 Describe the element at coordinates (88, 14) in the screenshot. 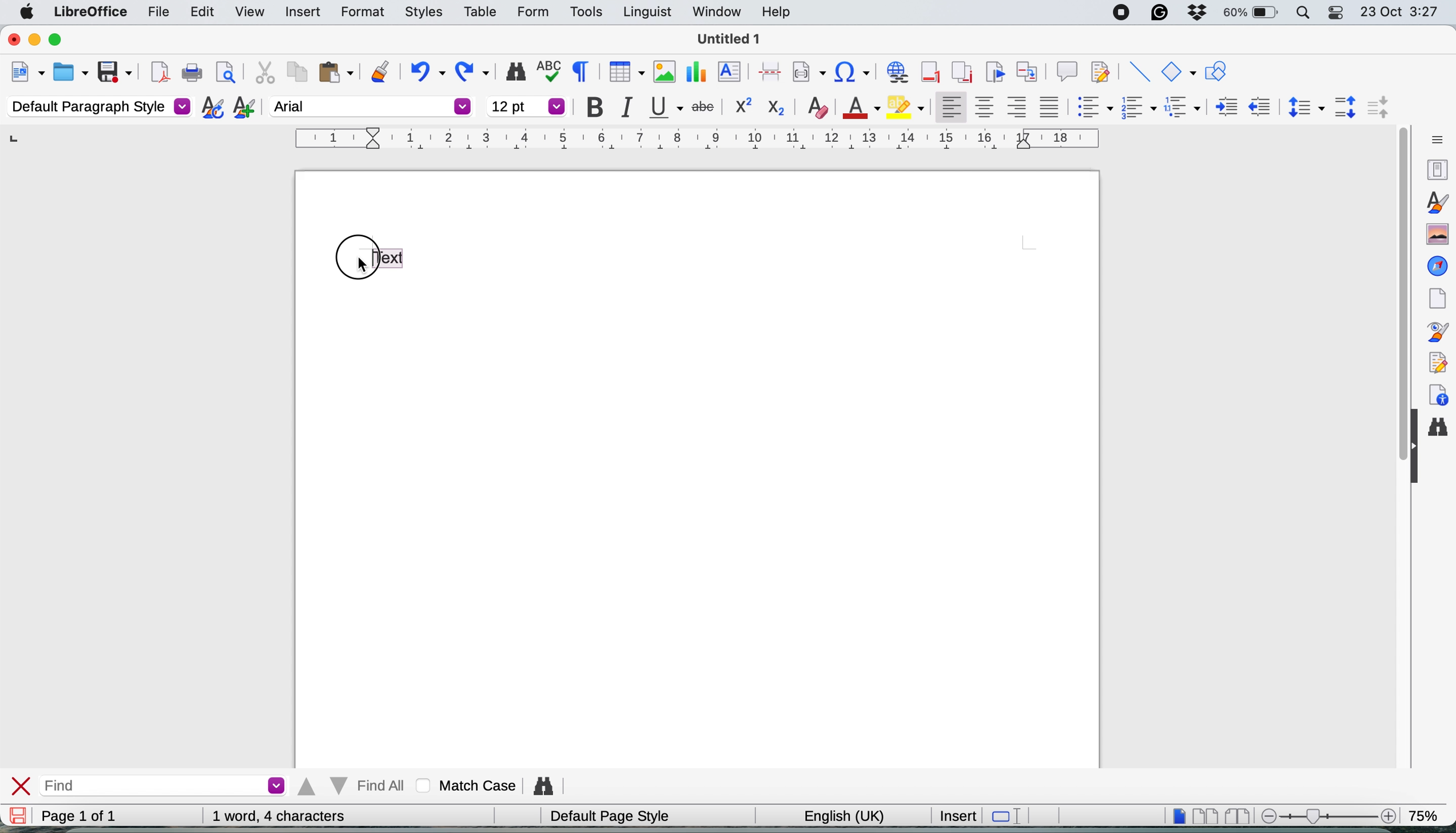

I see `libreoffice` at that location.